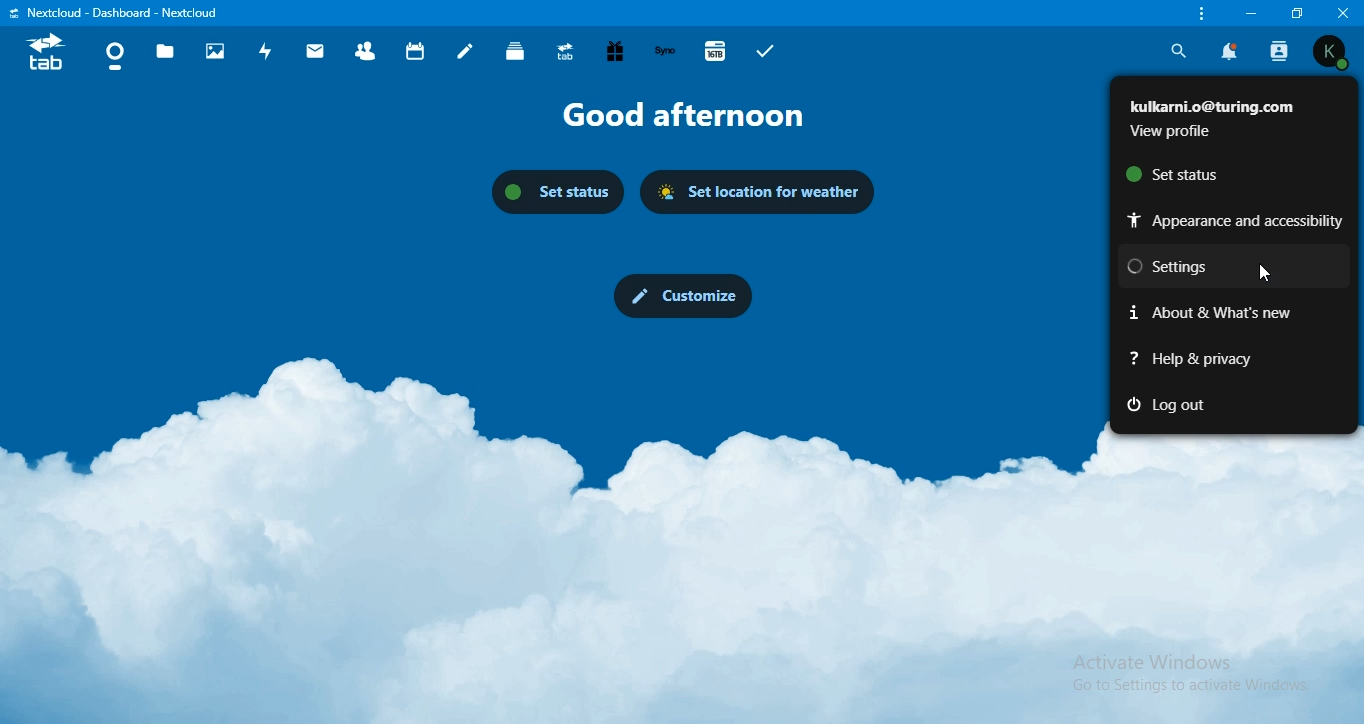  What do you see at coordinates (1230, 51) in the screenshot?
I see `notification` at bounding box center [1230, 51].